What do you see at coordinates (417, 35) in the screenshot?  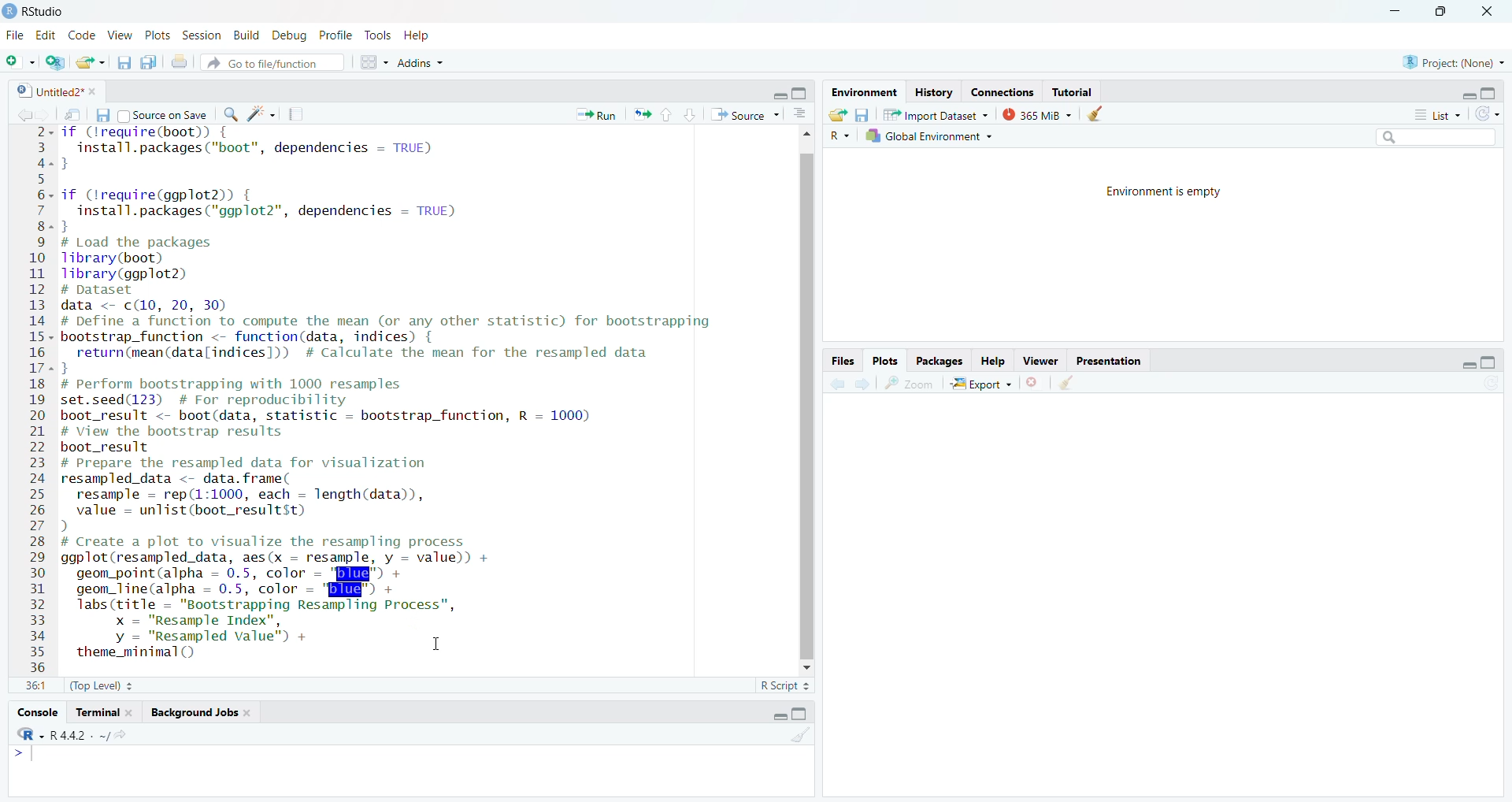 I see ` Help` at bounding box center [417, 35].